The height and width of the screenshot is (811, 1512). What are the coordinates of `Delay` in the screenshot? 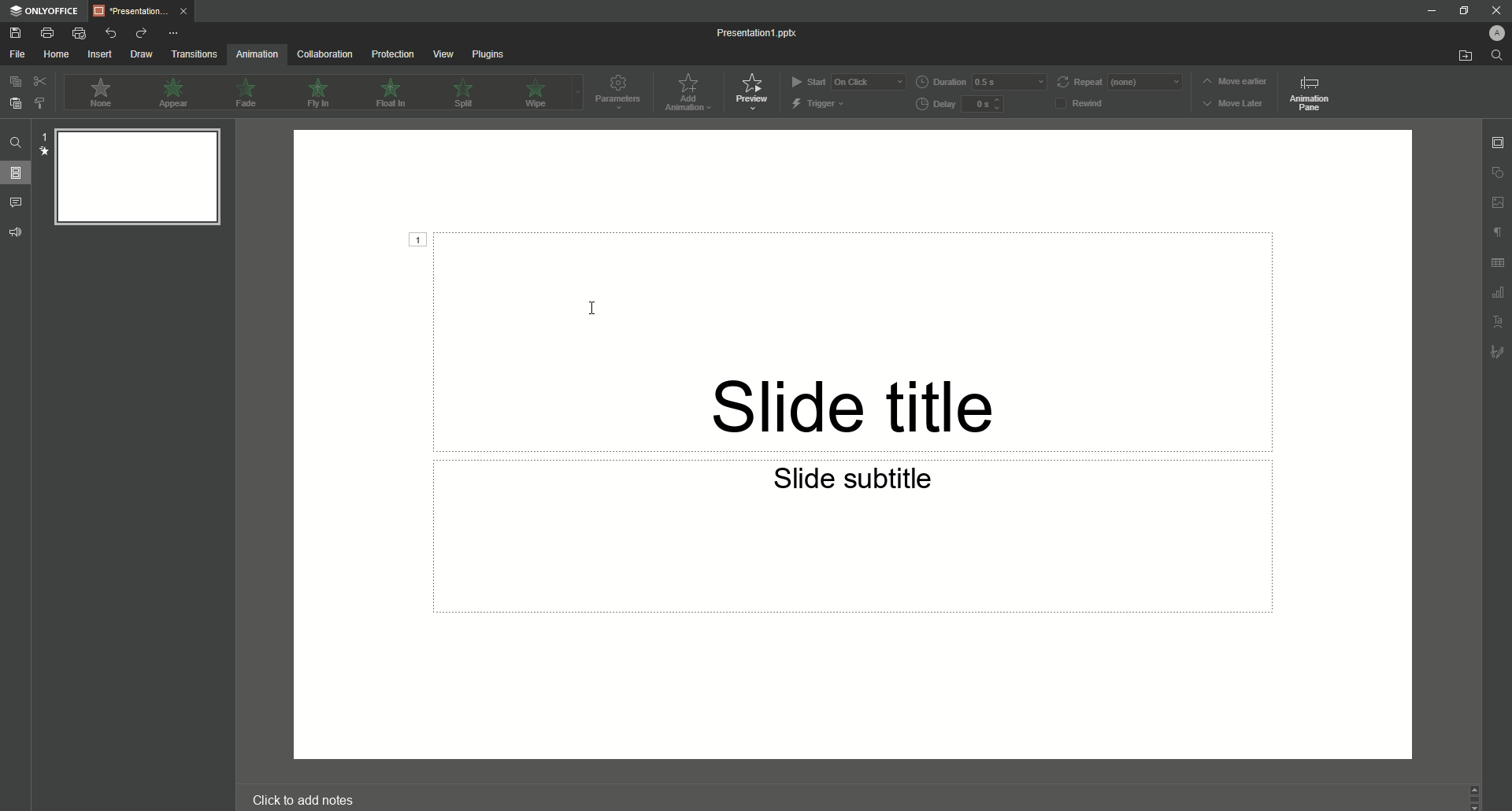 It's located at (962, 105).